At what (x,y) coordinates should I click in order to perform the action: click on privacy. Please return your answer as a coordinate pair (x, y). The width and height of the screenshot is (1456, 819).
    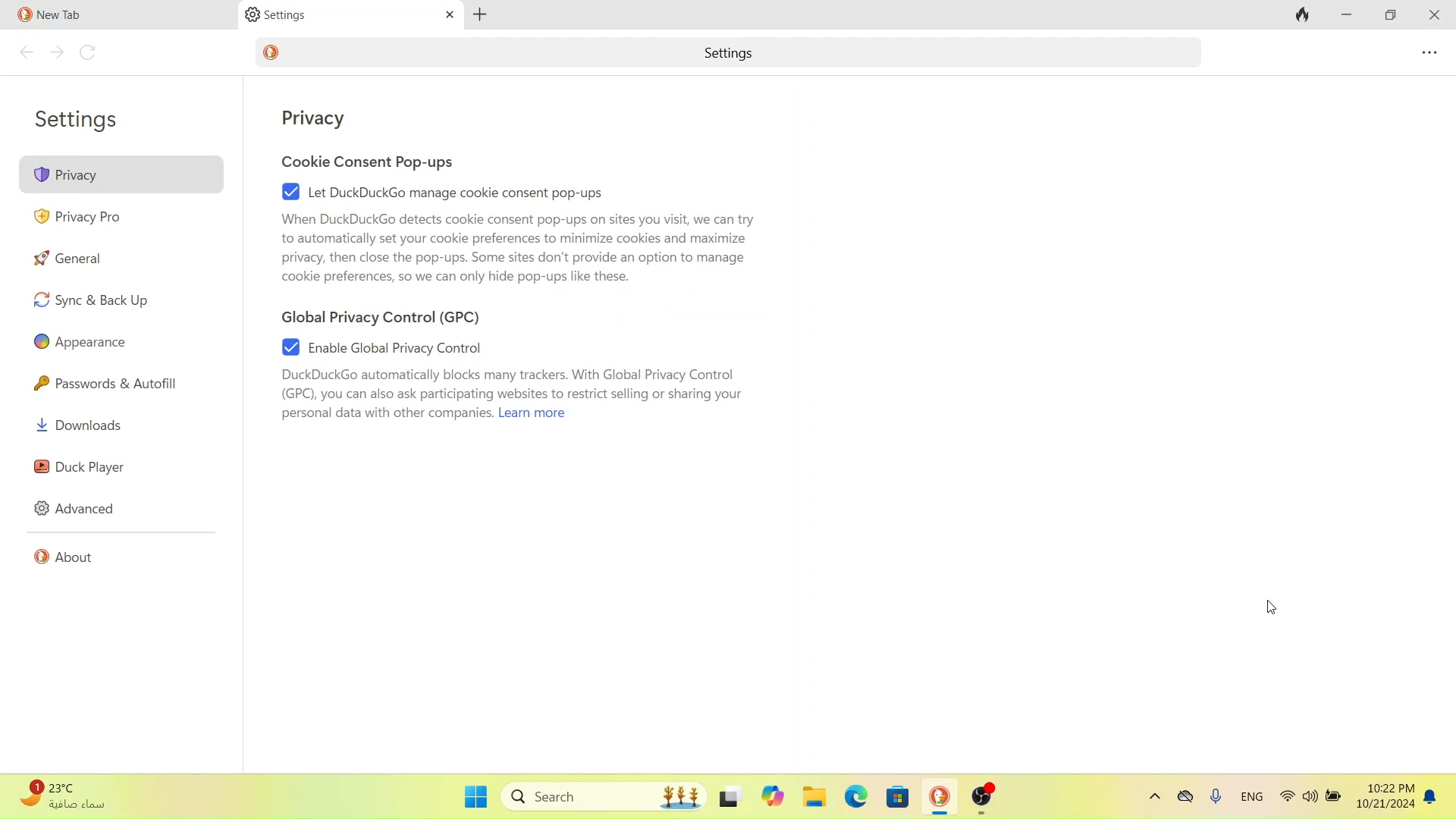
    Looking at the image, I should click on (74, 174).